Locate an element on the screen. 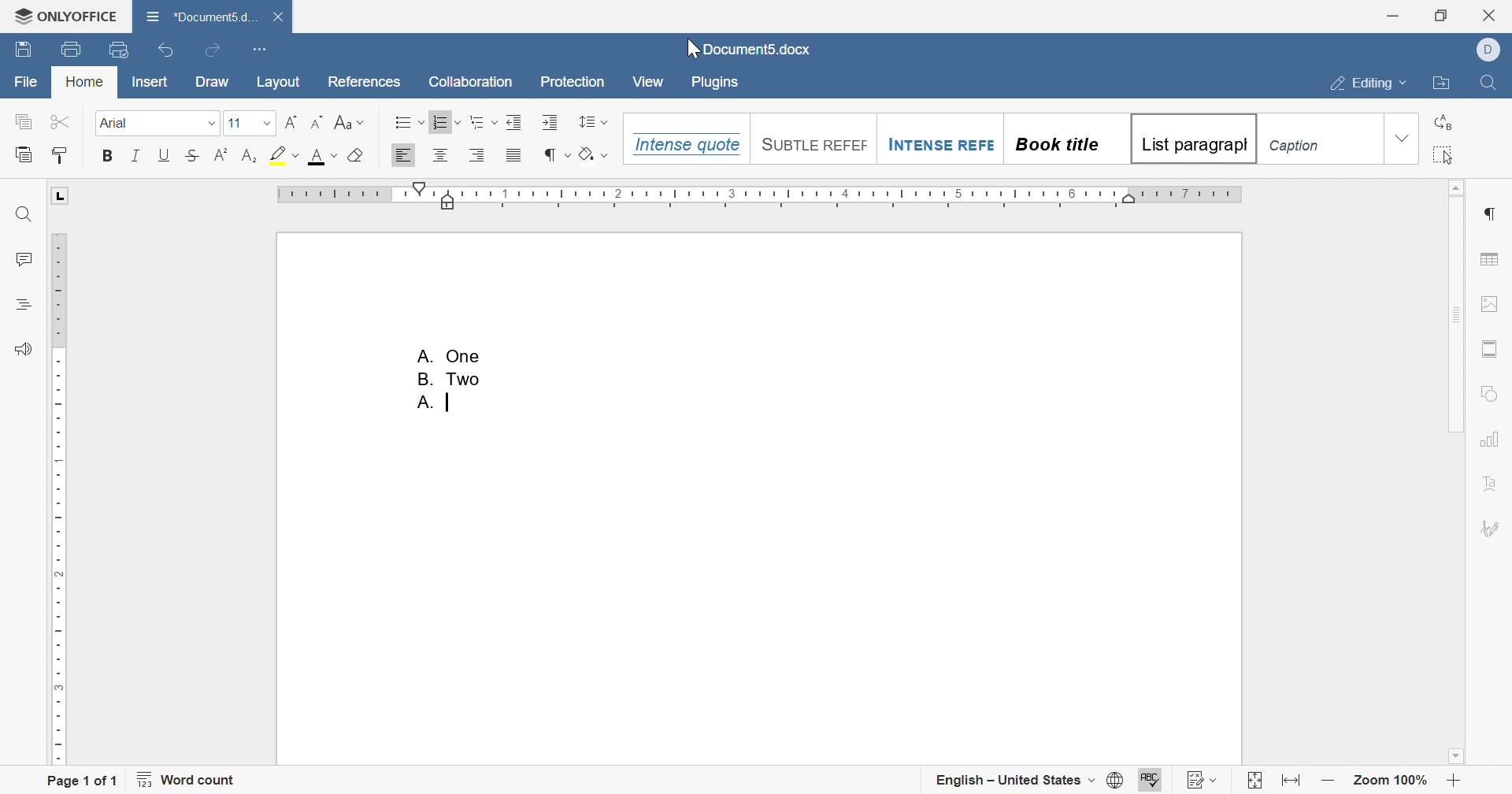  english - United States is located at coordinates (1028, 781).